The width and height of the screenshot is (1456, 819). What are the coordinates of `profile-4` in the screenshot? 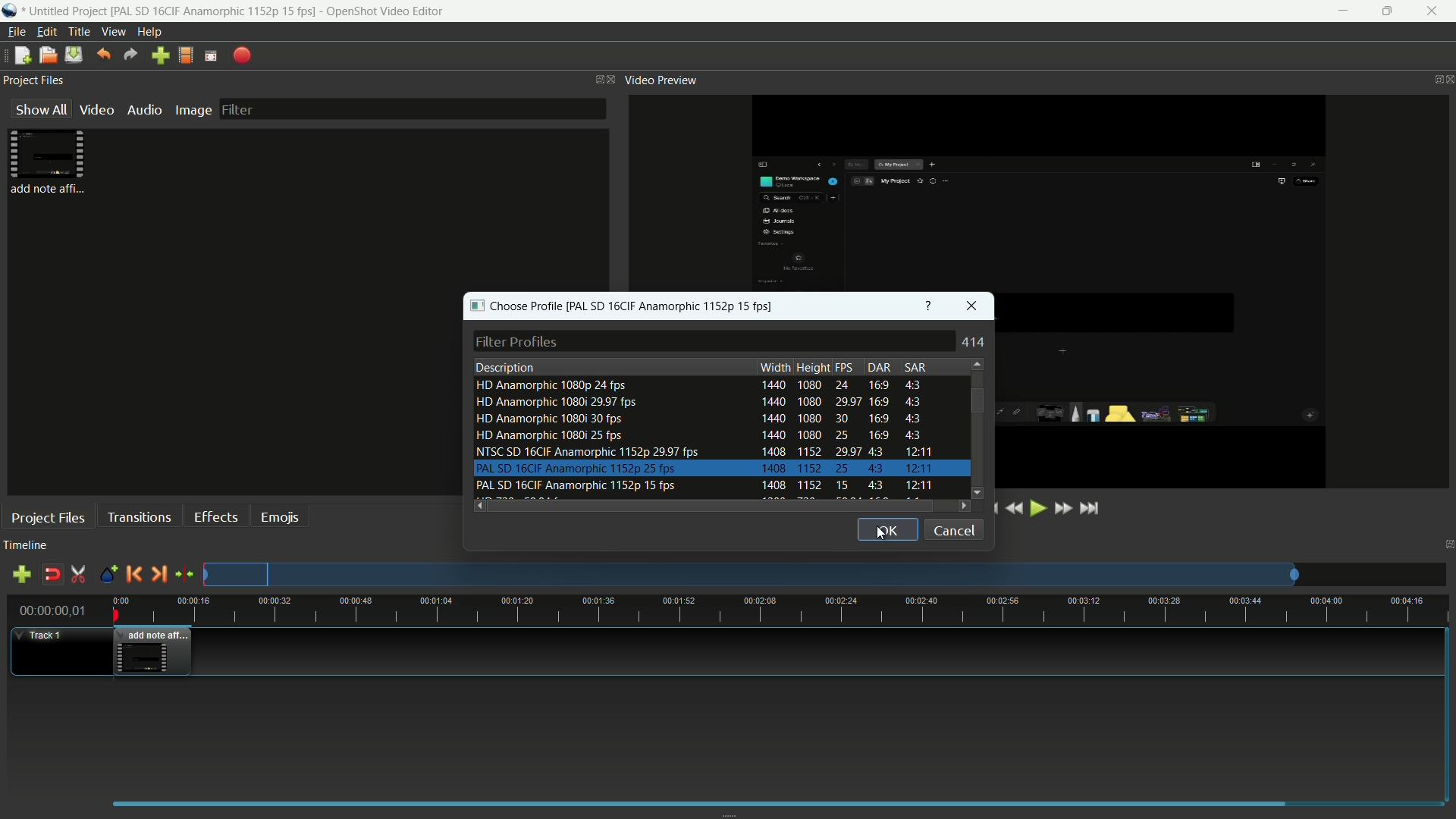 It's located at (699, 436).